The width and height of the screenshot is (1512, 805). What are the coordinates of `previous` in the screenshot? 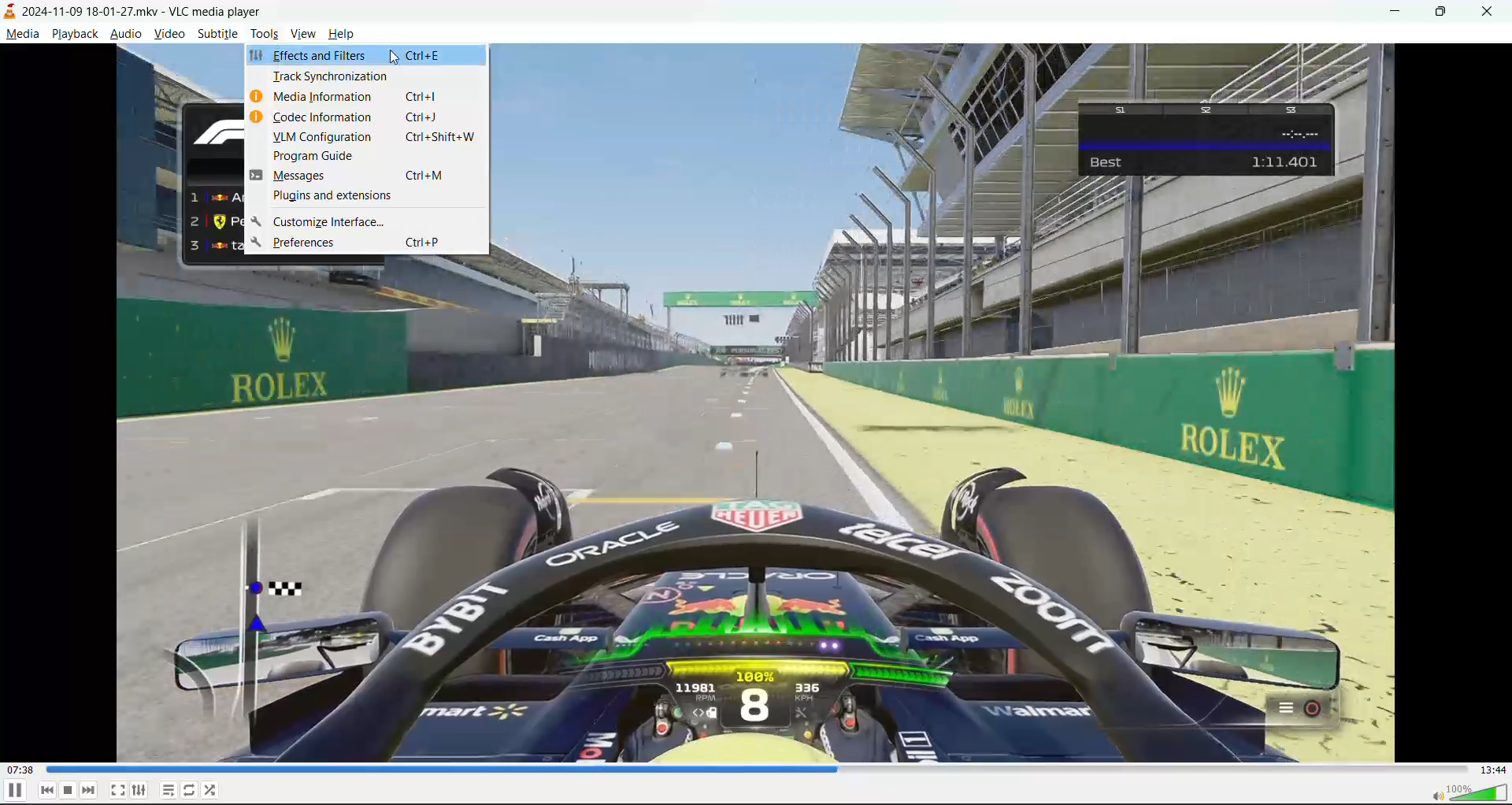 It's located at (47, 790).